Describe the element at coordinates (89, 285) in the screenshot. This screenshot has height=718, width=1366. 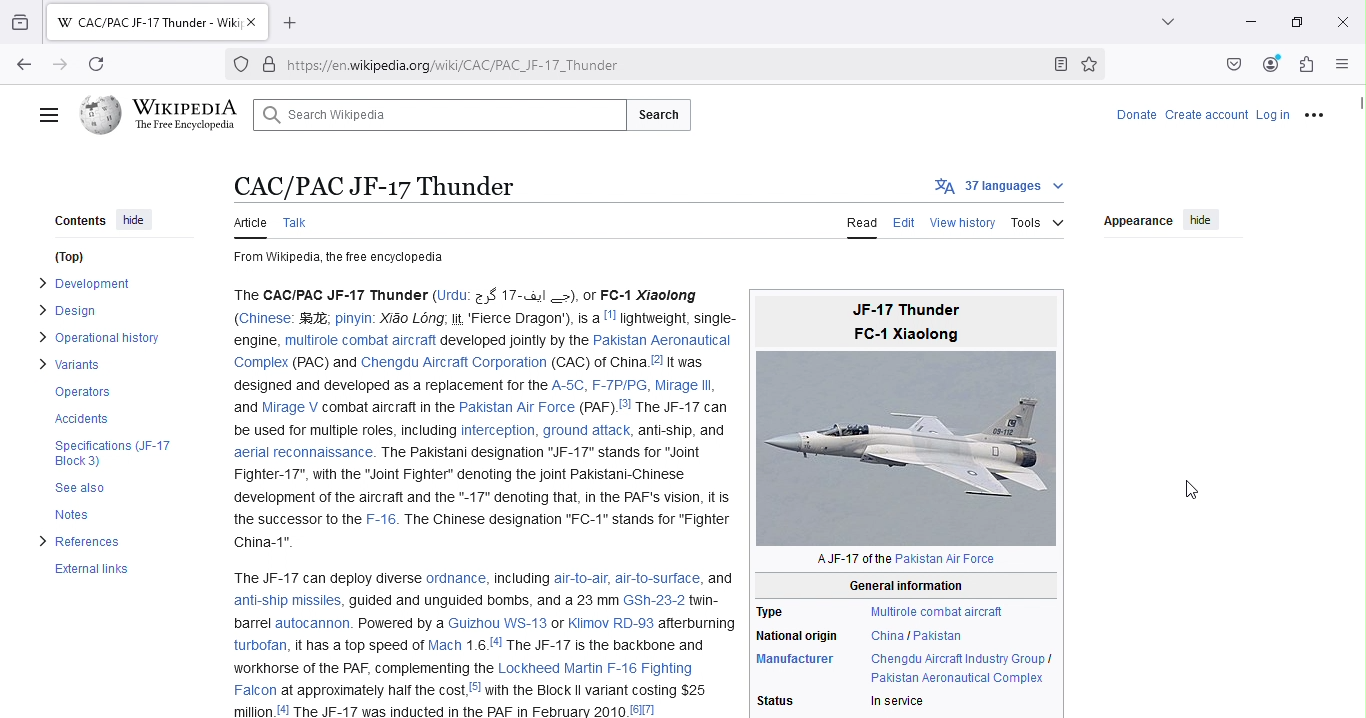
I see `Development.` at that location.